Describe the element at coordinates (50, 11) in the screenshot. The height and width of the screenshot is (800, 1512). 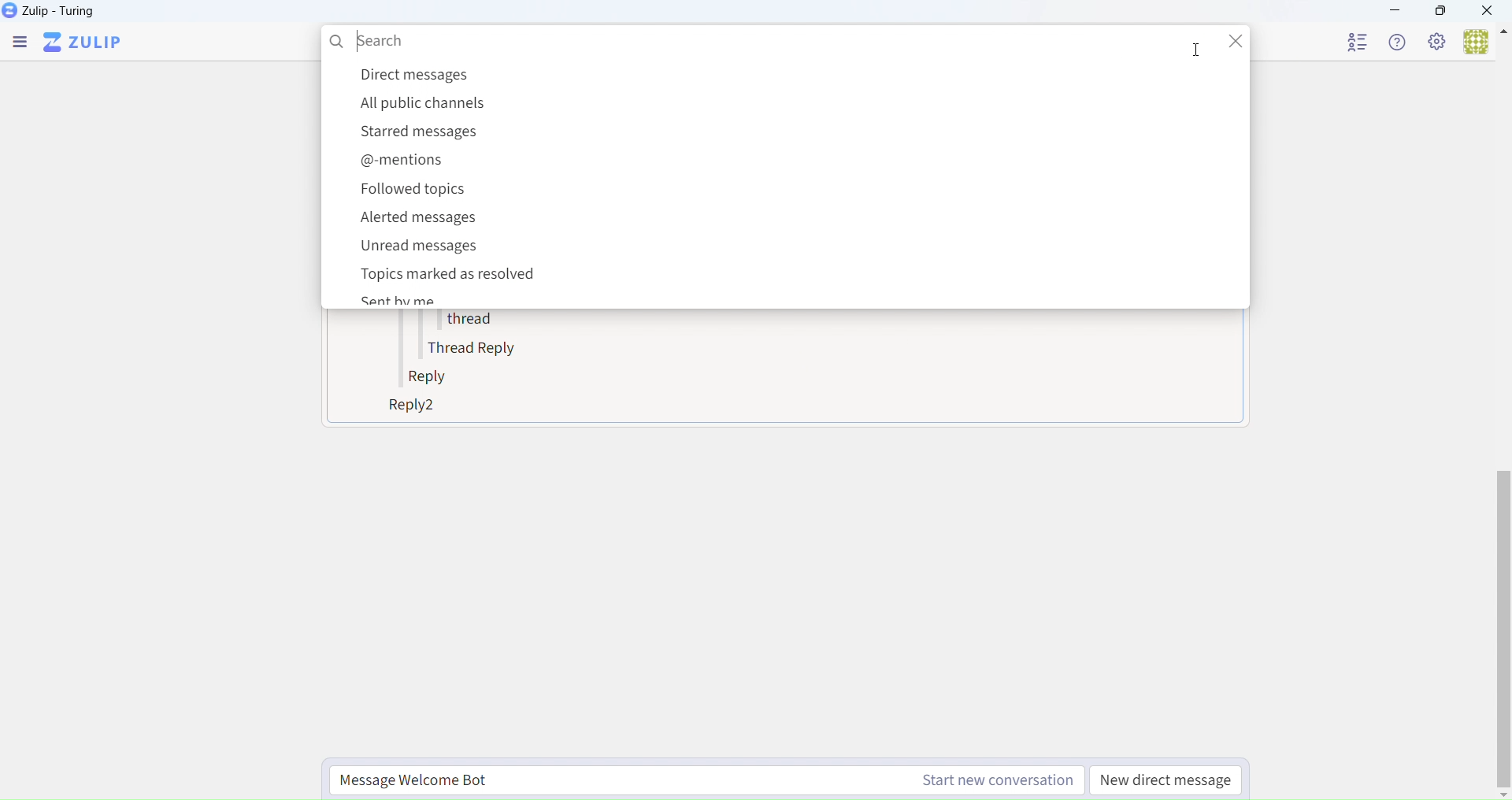
I see `Zulip` at that location.